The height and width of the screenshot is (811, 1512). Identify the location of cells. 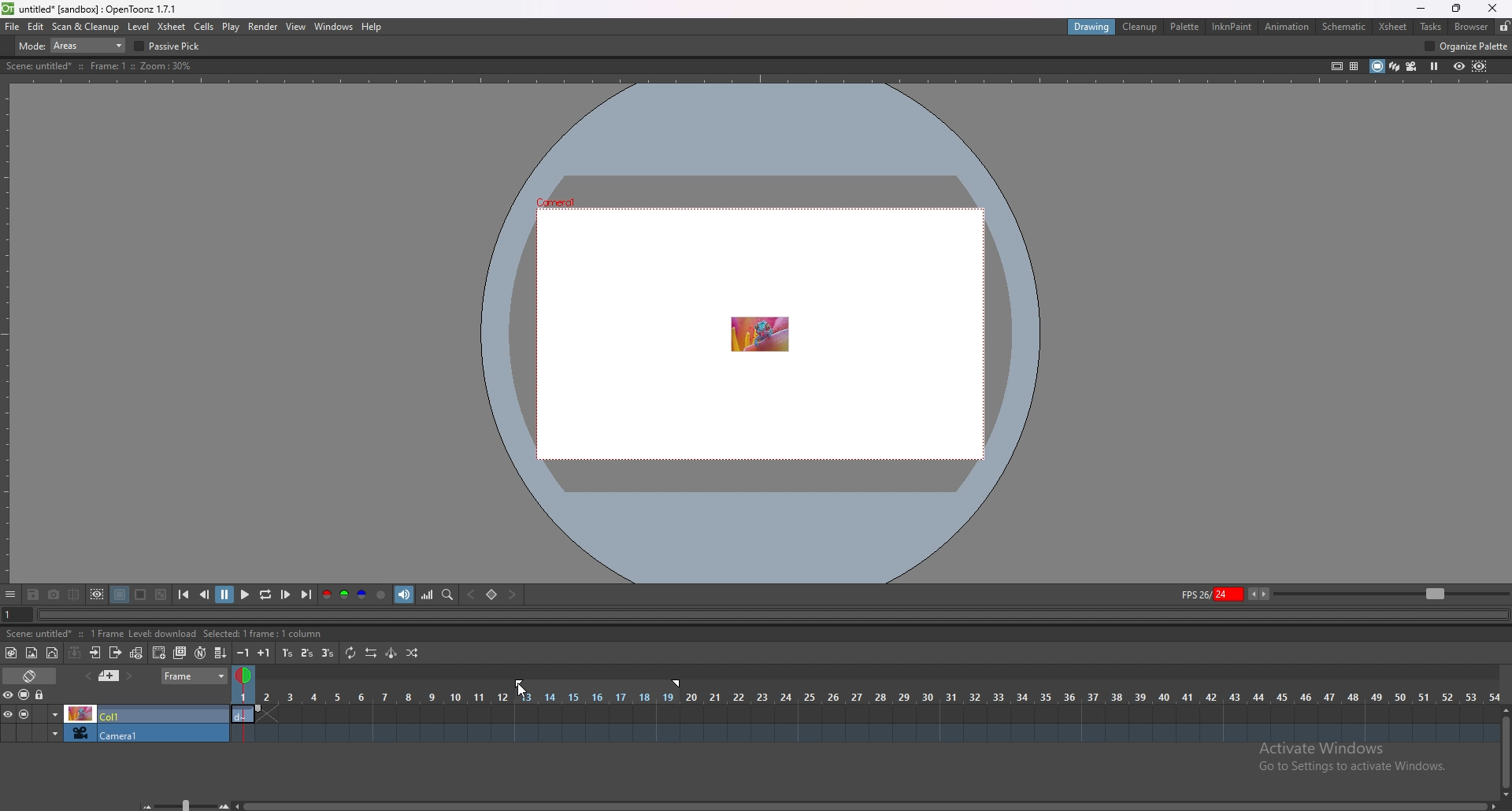
(204, 26).